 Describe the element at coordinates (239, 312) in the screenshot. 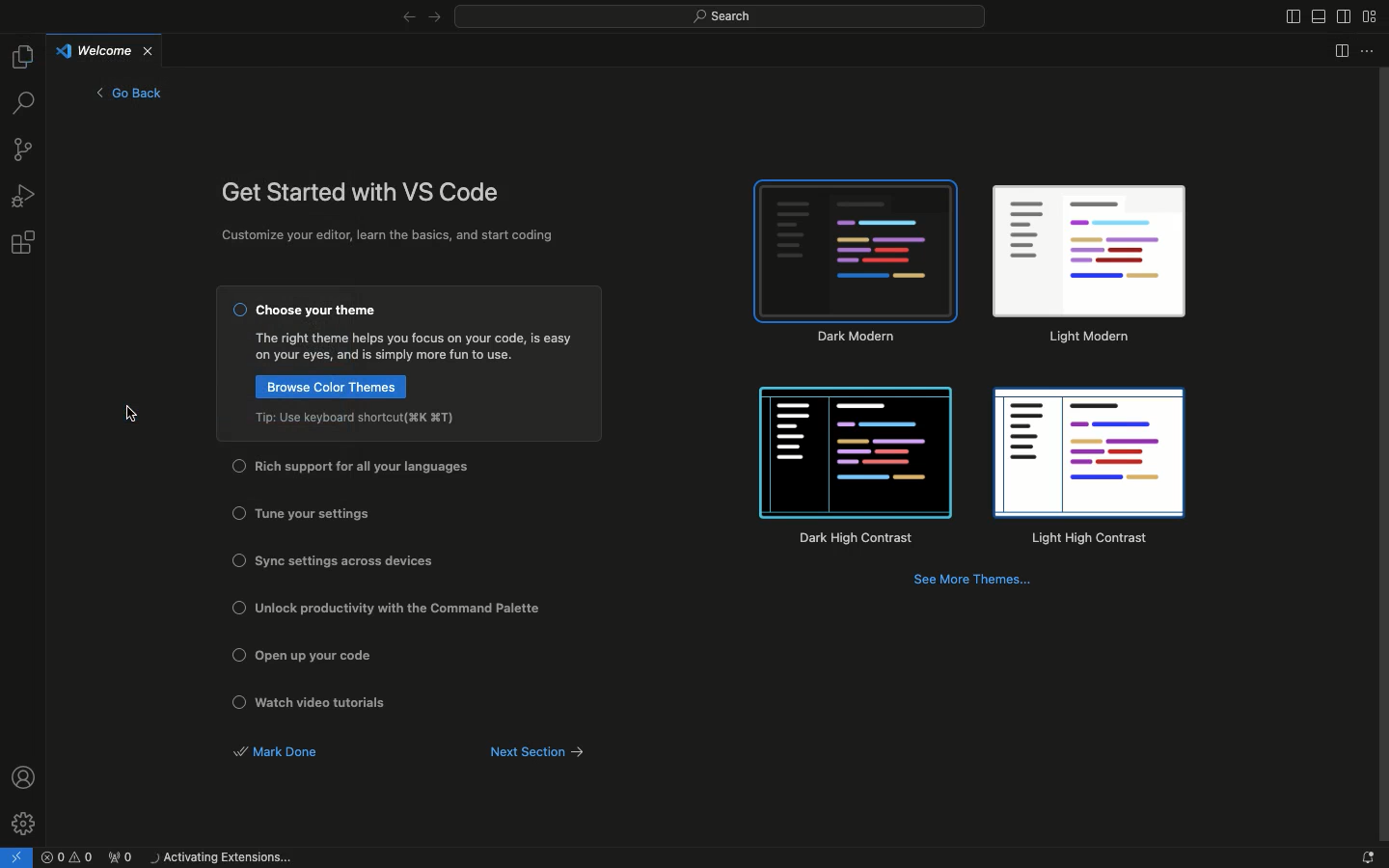

I see `Checkbox` at that location.